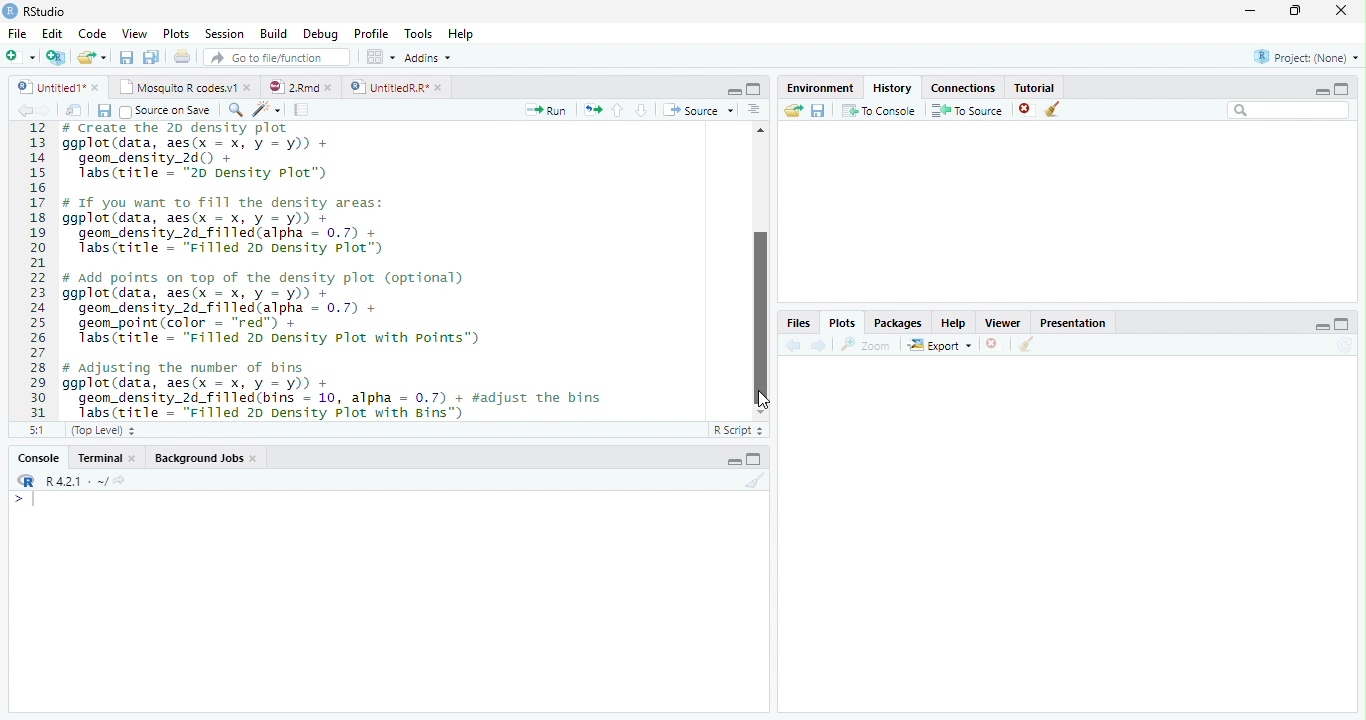 The image size is (1366, 720). What do you see at coordinates (1026, 110) in the screenshot?
I see `close` at bounding box center [1026, 110].